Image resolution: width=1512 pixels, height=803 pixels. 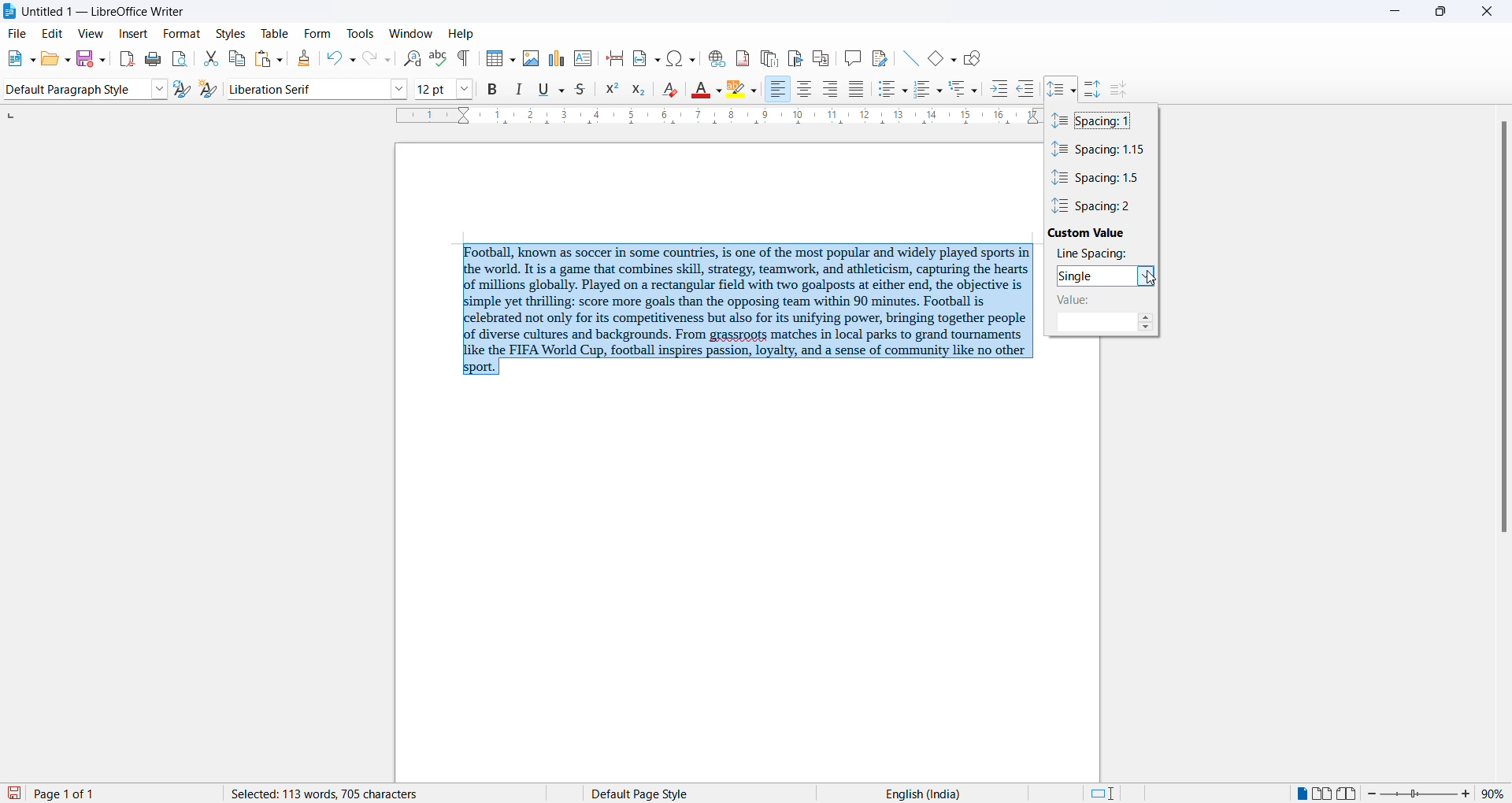 What do you see at coordinates (720, 90) in the screenshot?
I see `font color options` at bounding box center [720, 90].